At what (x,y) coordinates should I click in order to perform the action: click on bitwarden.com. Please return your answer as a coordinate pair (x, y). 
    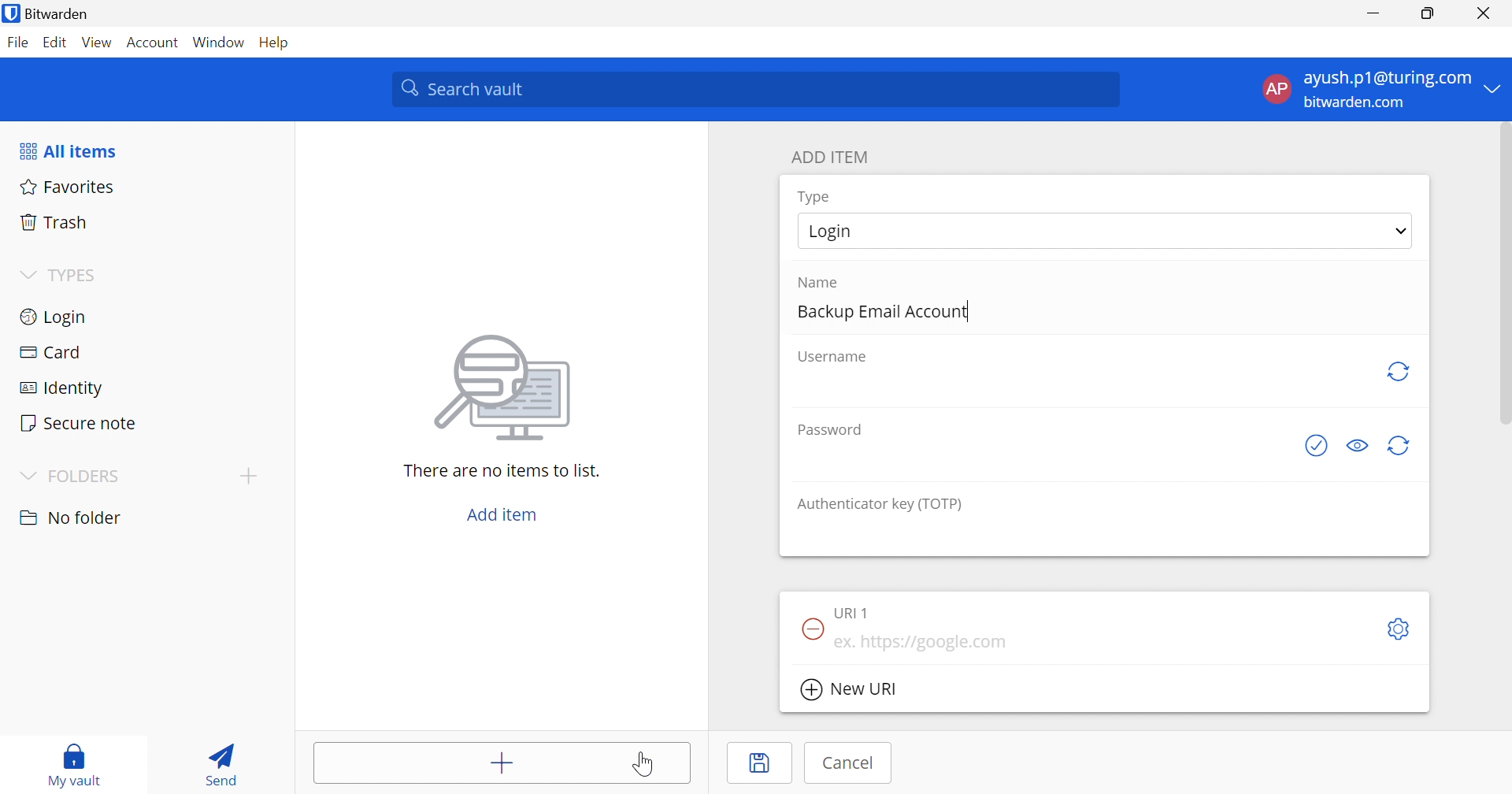
    Looking at the image, I should click on (1358, 103).